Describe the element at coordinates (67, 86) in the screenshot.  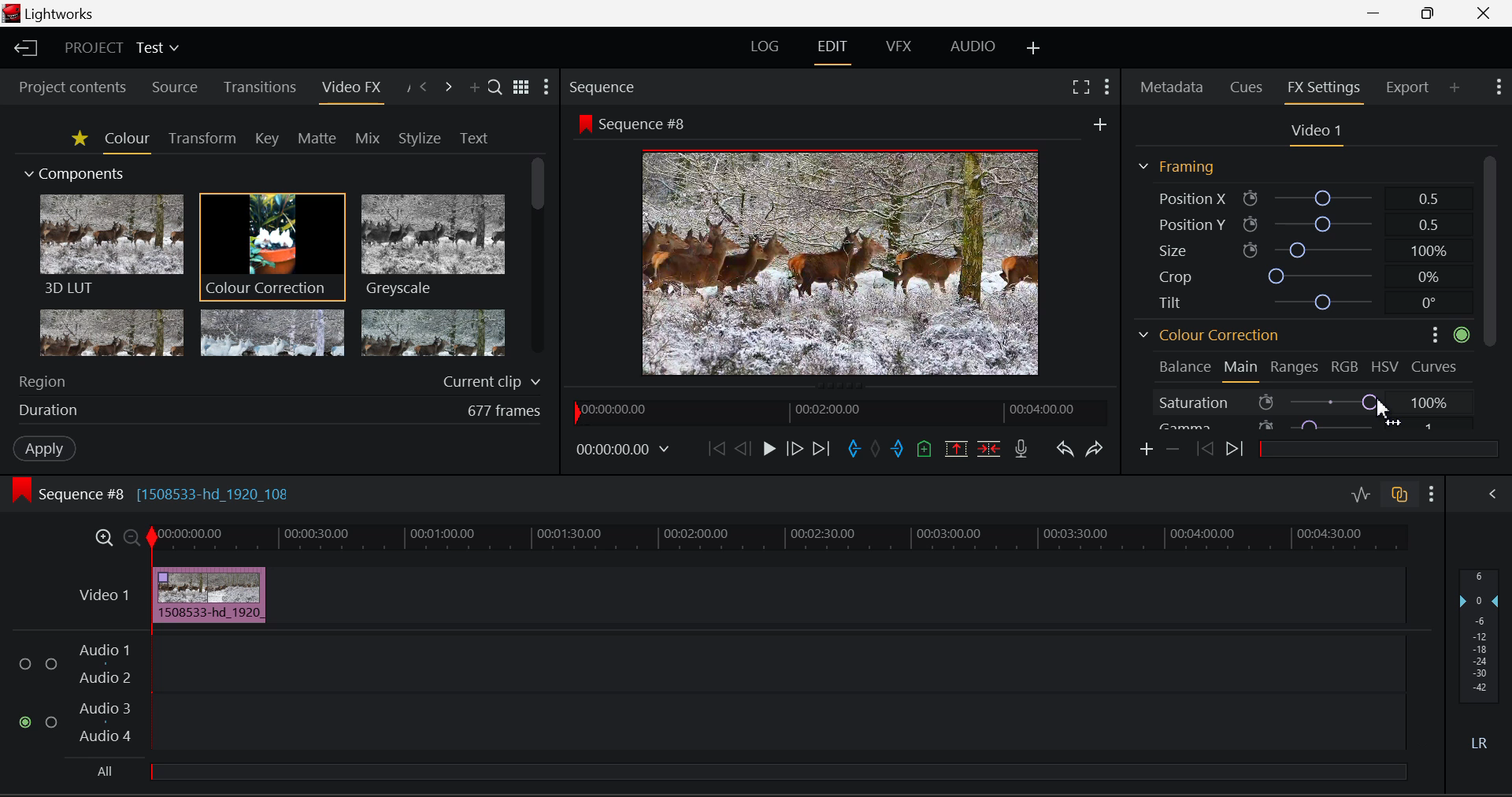
I see `Project contents` at that location.